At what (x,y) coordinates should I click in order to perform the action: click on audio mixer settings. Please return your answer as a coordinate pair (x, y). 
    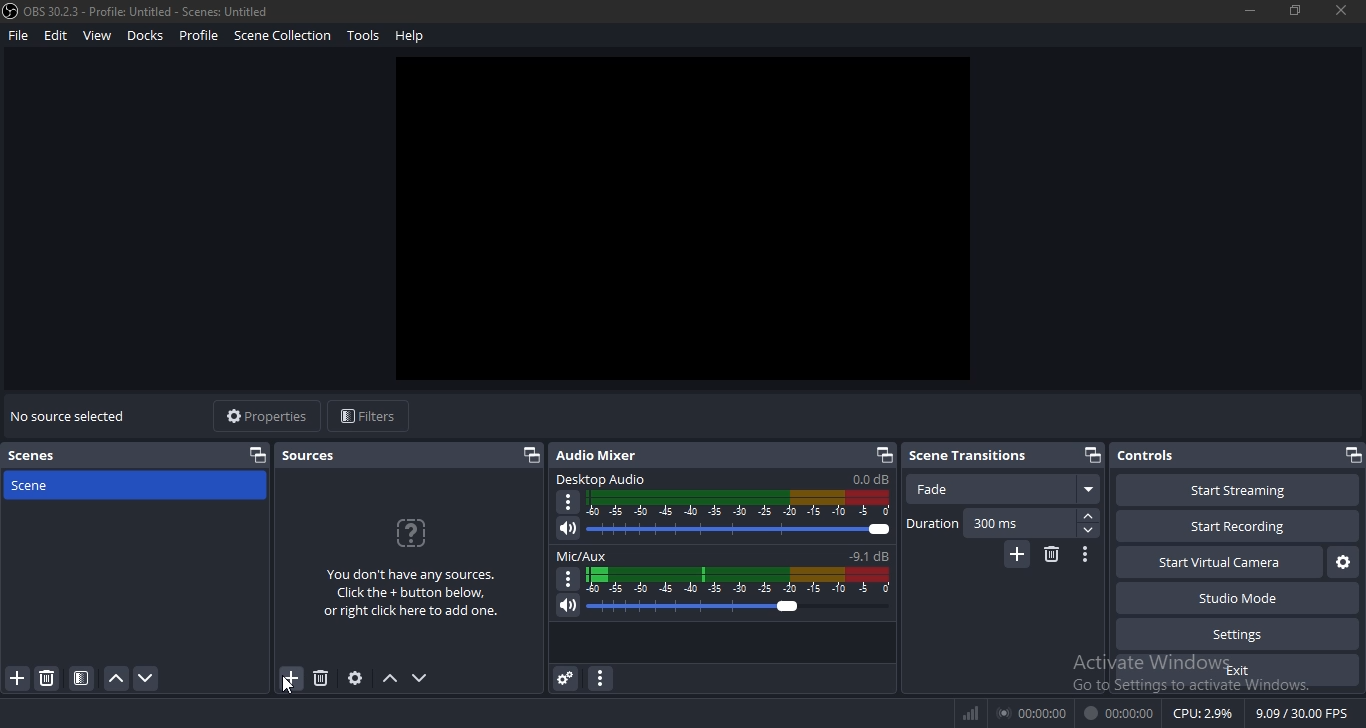
    Looking at the image, I should click on (565, 679).